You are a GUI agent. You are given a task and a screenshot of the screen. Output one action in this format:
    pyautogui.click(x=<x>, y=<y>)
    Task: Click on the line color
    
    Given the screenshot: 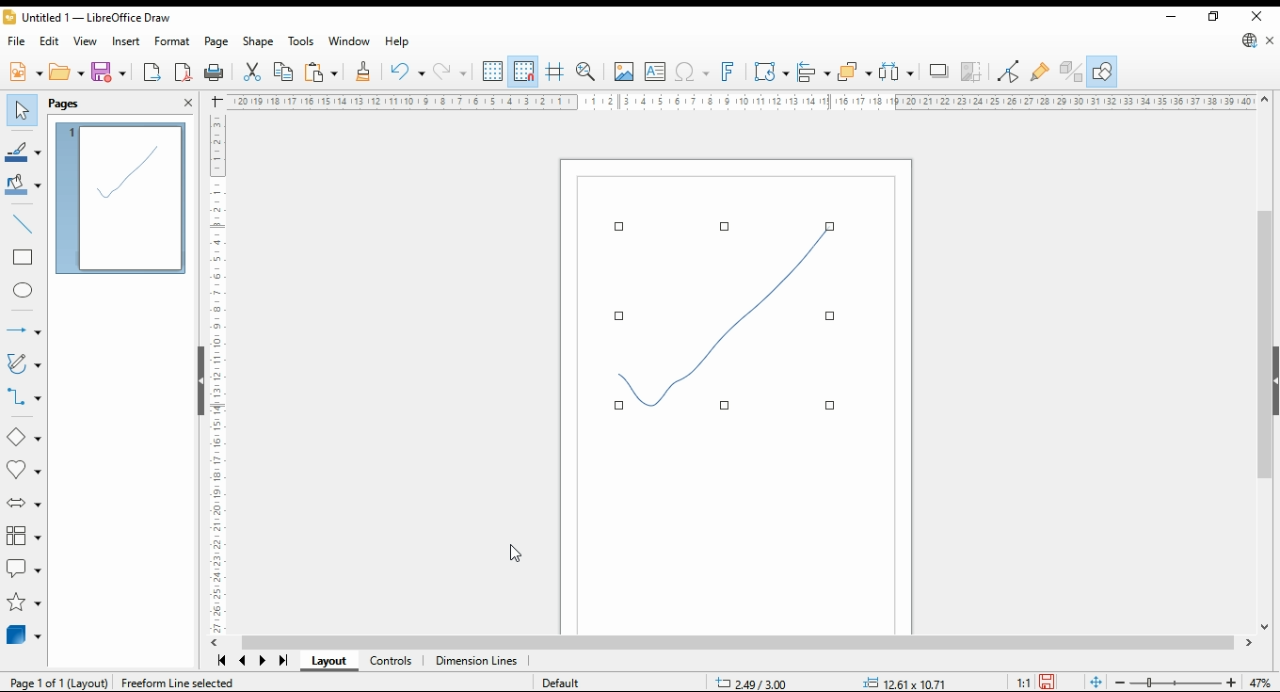 What is the action you would take?
    pyautogui.click(x=24, y=151)
    